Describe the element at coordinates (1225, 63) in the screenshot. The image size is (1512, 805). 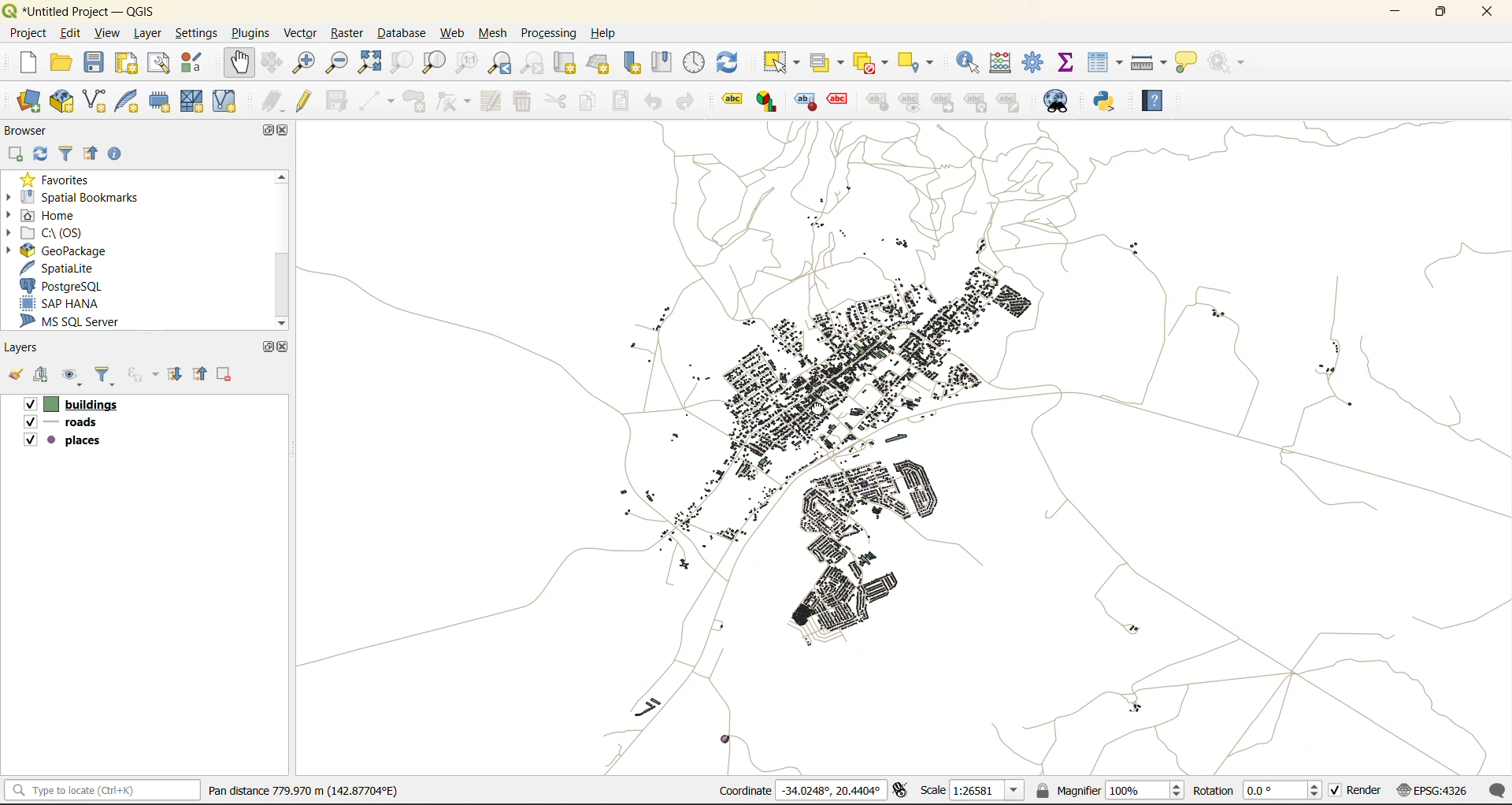
I see `no action` at that location.